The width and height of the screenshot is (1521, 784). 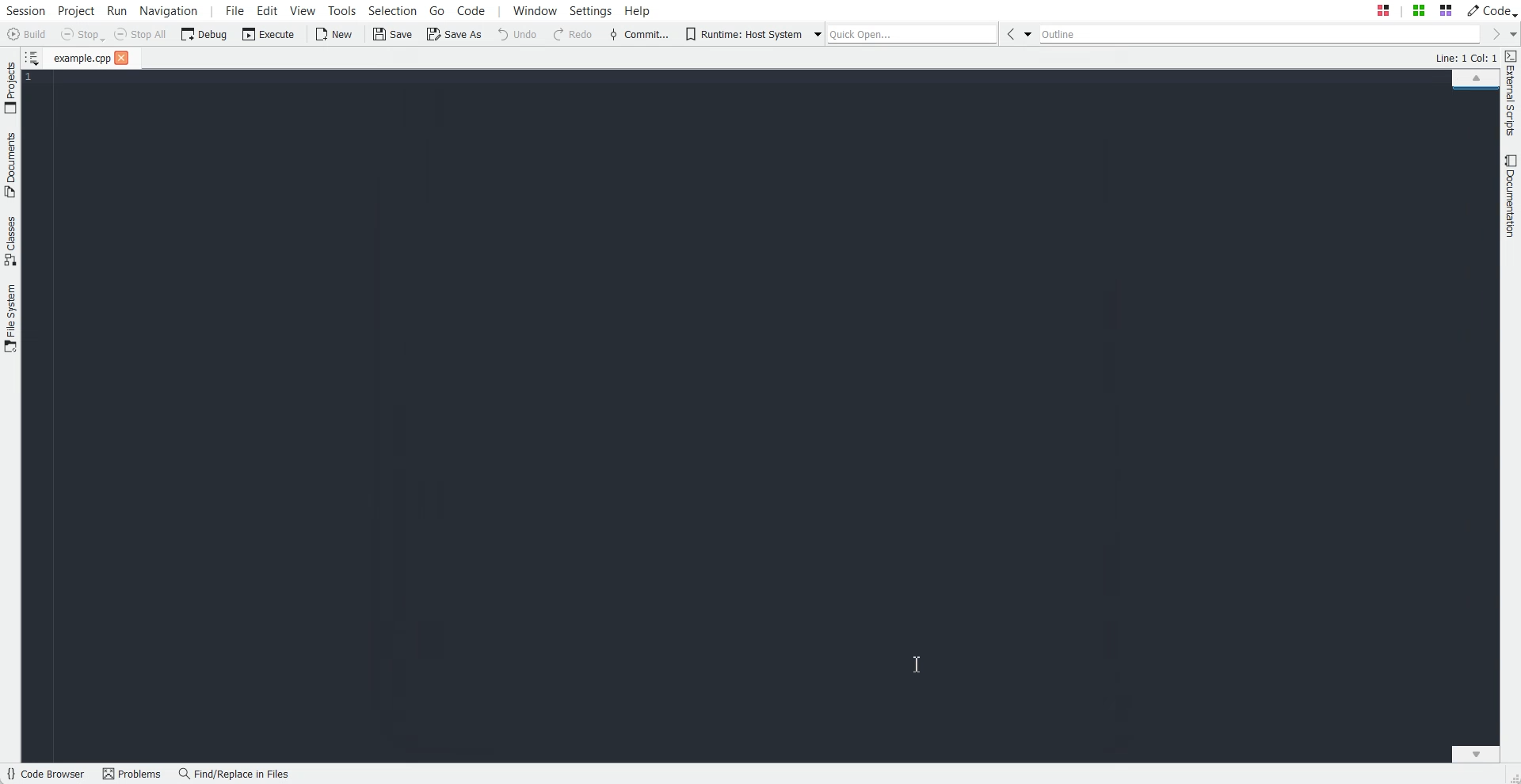 I want to click on File, so click(x=81, y=58).